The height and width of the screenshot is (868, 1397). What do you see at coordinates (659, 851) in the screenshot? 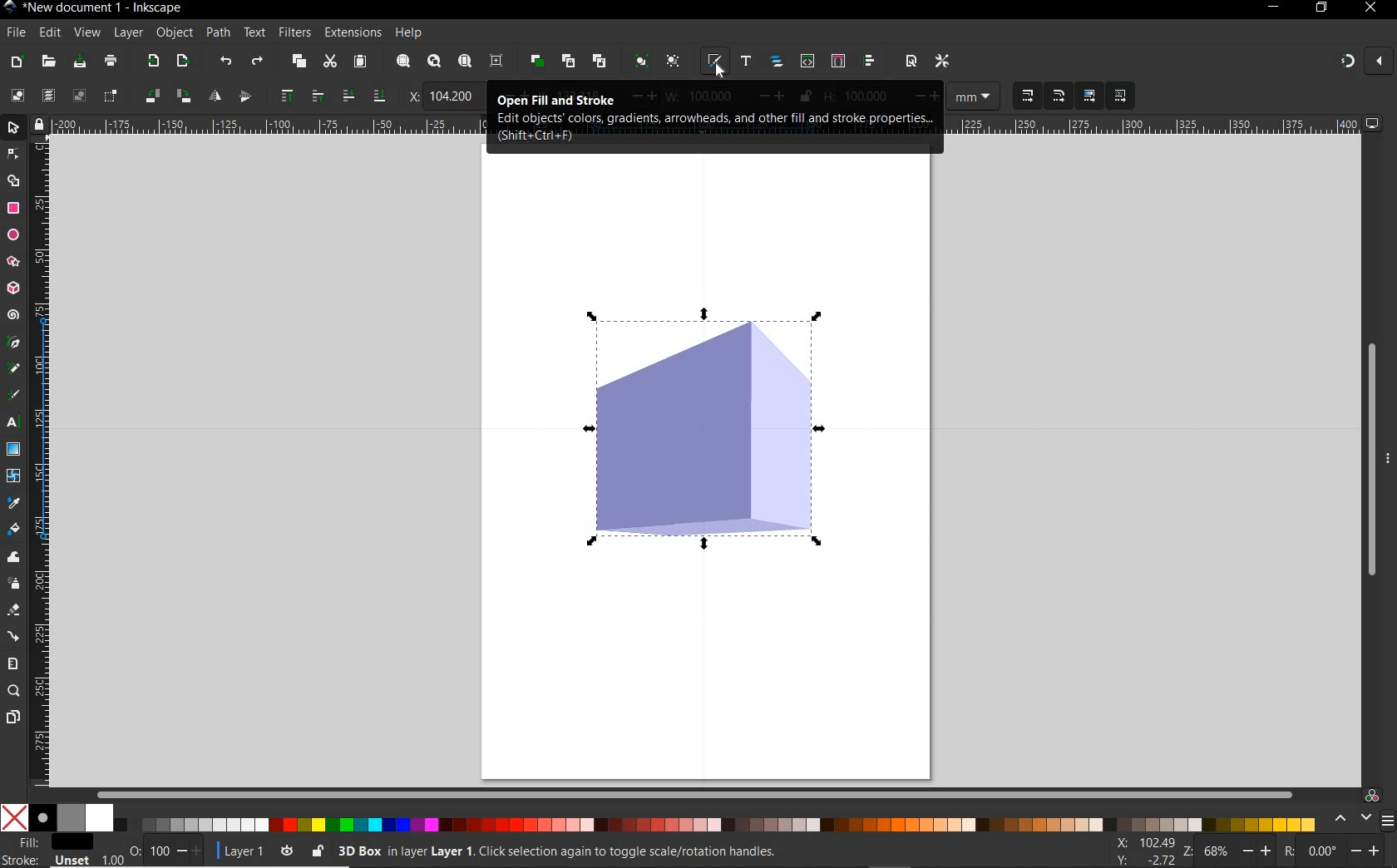
I see `NO OBJECTS SELECTED` at bounding box center [659, 851].